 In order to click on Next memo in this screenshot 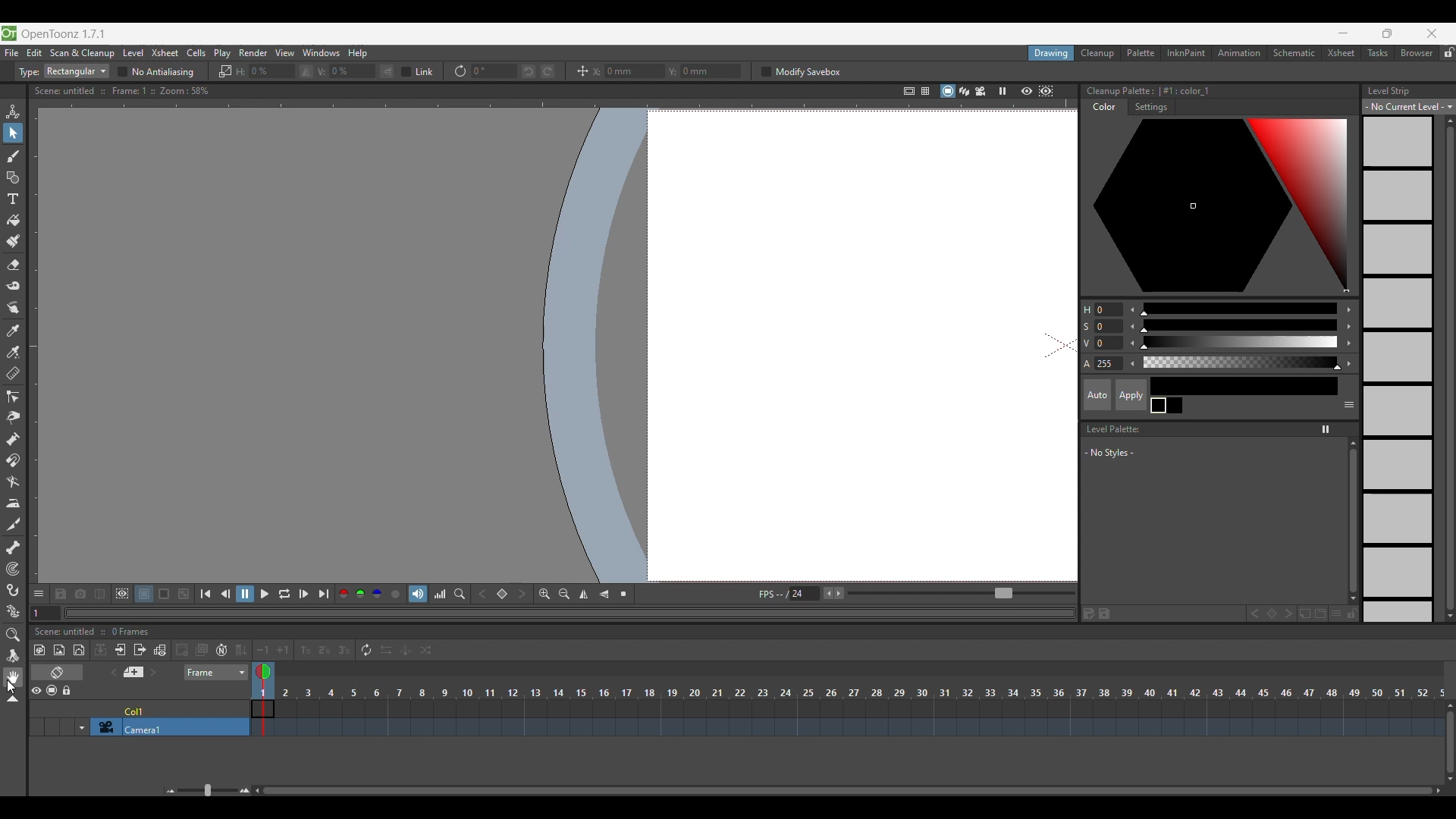, I will do `click(152, 673)`.